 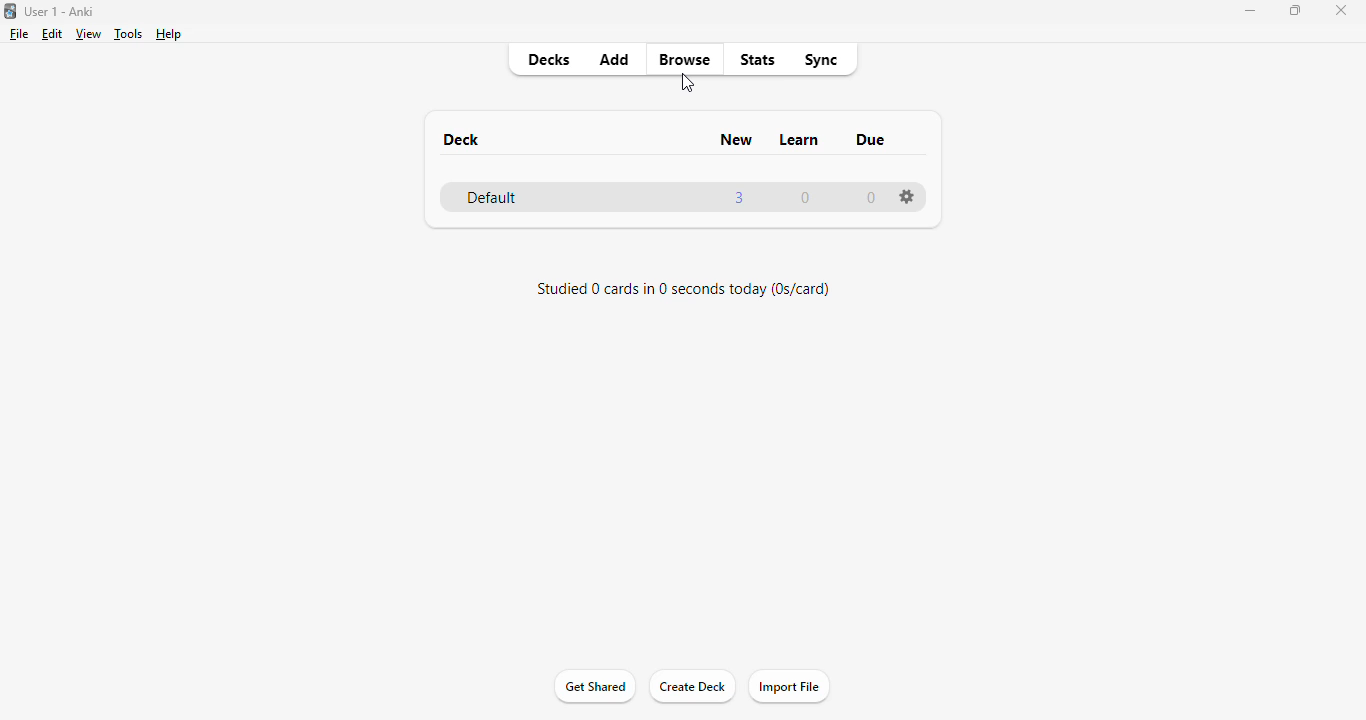 I want to click on decks, so click(x=551, y=60).